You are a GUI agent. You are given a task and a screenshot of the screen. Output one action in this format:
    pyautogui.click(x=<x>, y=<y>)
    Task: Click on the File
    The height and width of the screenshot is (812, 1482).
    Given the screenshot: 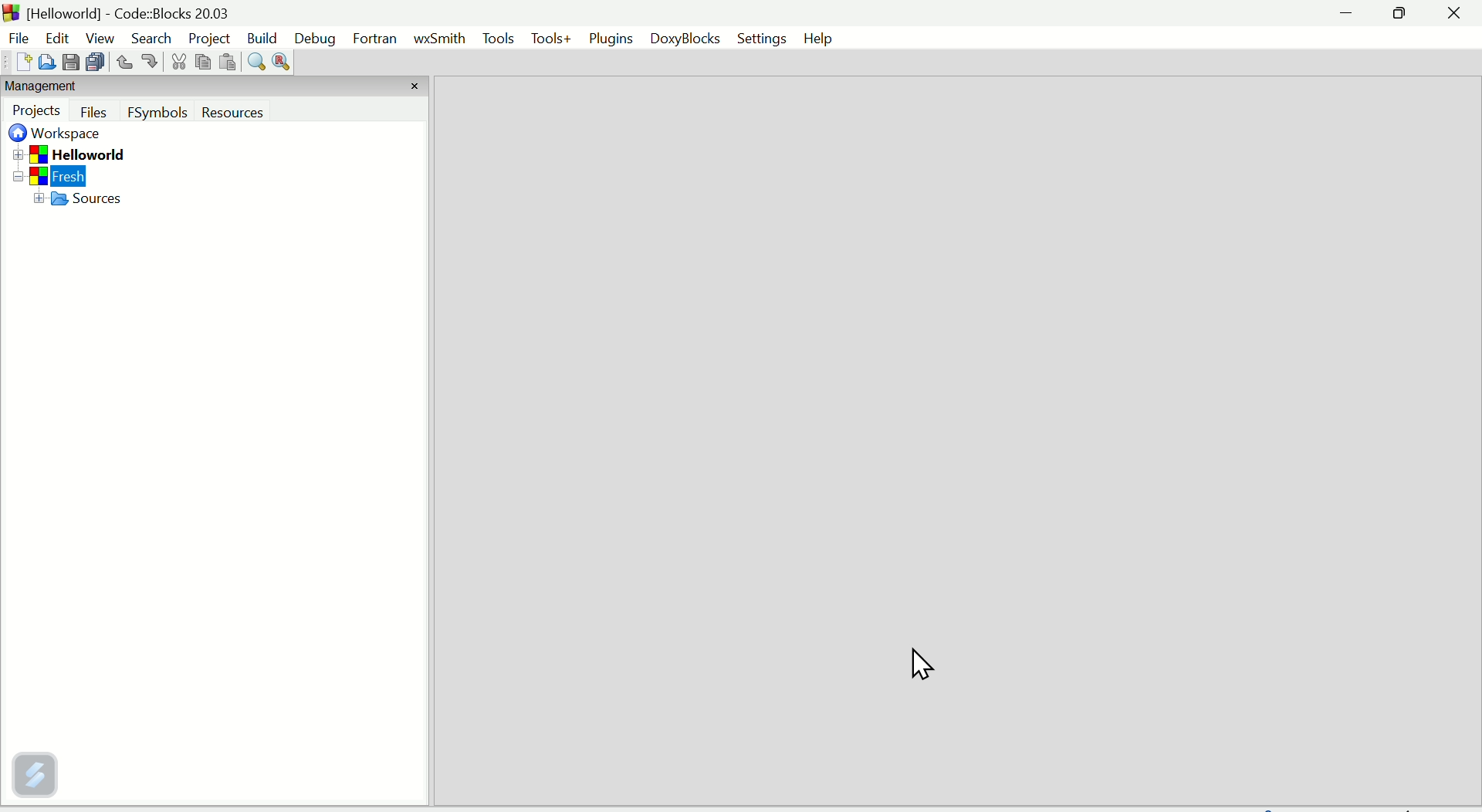 What is the action you would take?
    pyautogui.click(x=16, y=36)
    